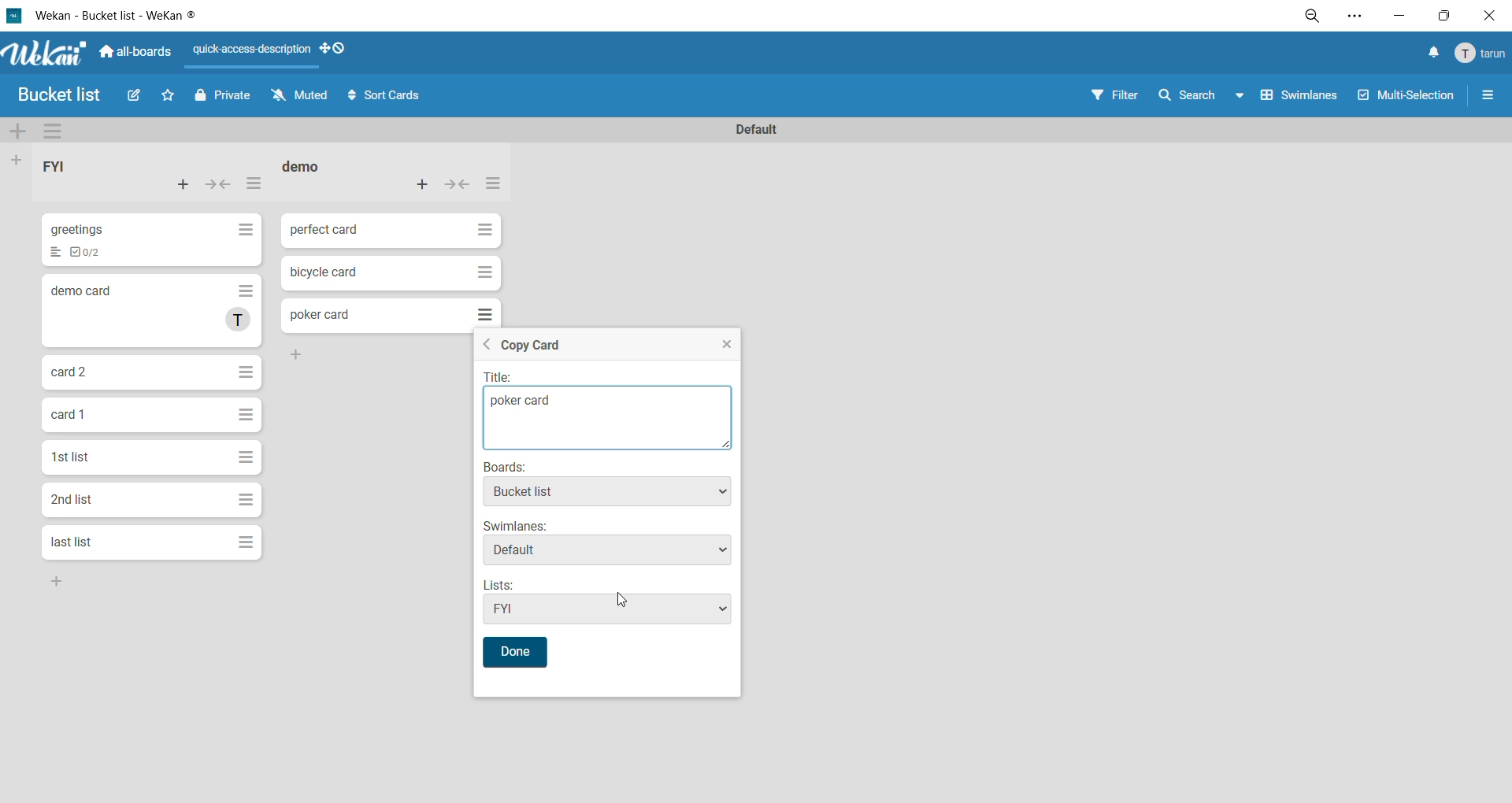 Image resolution: width=1512 pixels, height=803 pixels. Describe the element at coordinates (1119, 94) in the screenshot. I see `filter` at that location.